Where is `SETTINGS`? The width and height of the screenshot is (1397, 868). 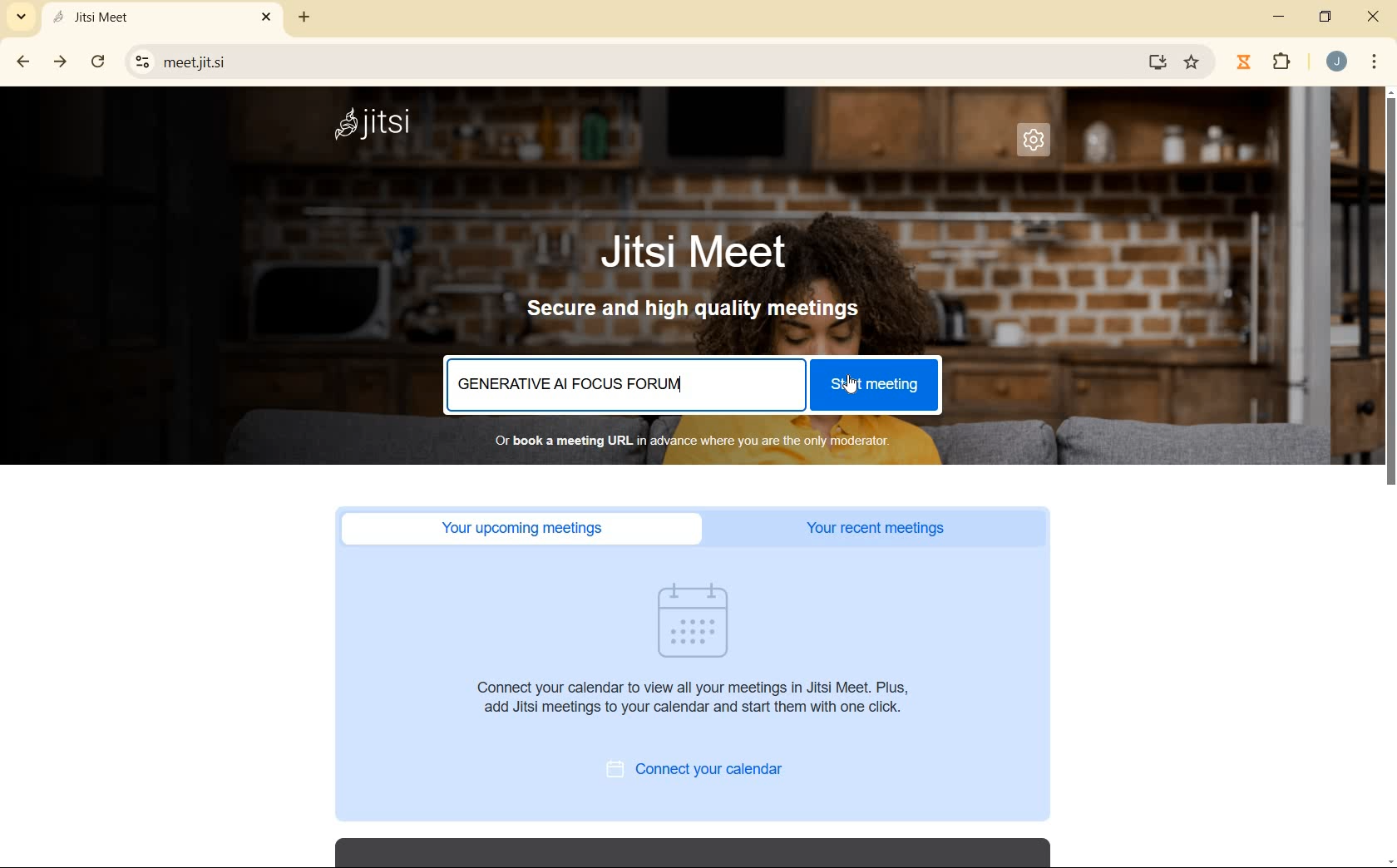 SETTINGS is located at coordinates (1041, 145).